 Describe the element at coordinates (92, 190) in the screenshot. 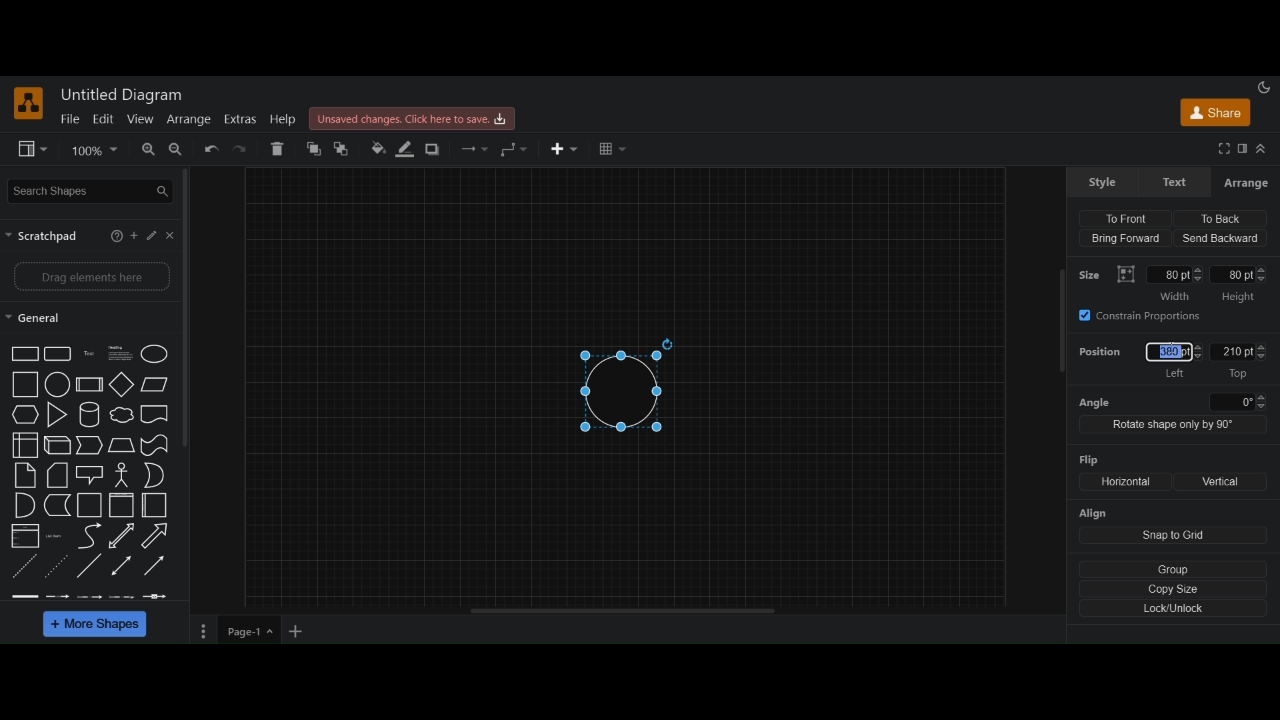

I see `search shapes` at that location.